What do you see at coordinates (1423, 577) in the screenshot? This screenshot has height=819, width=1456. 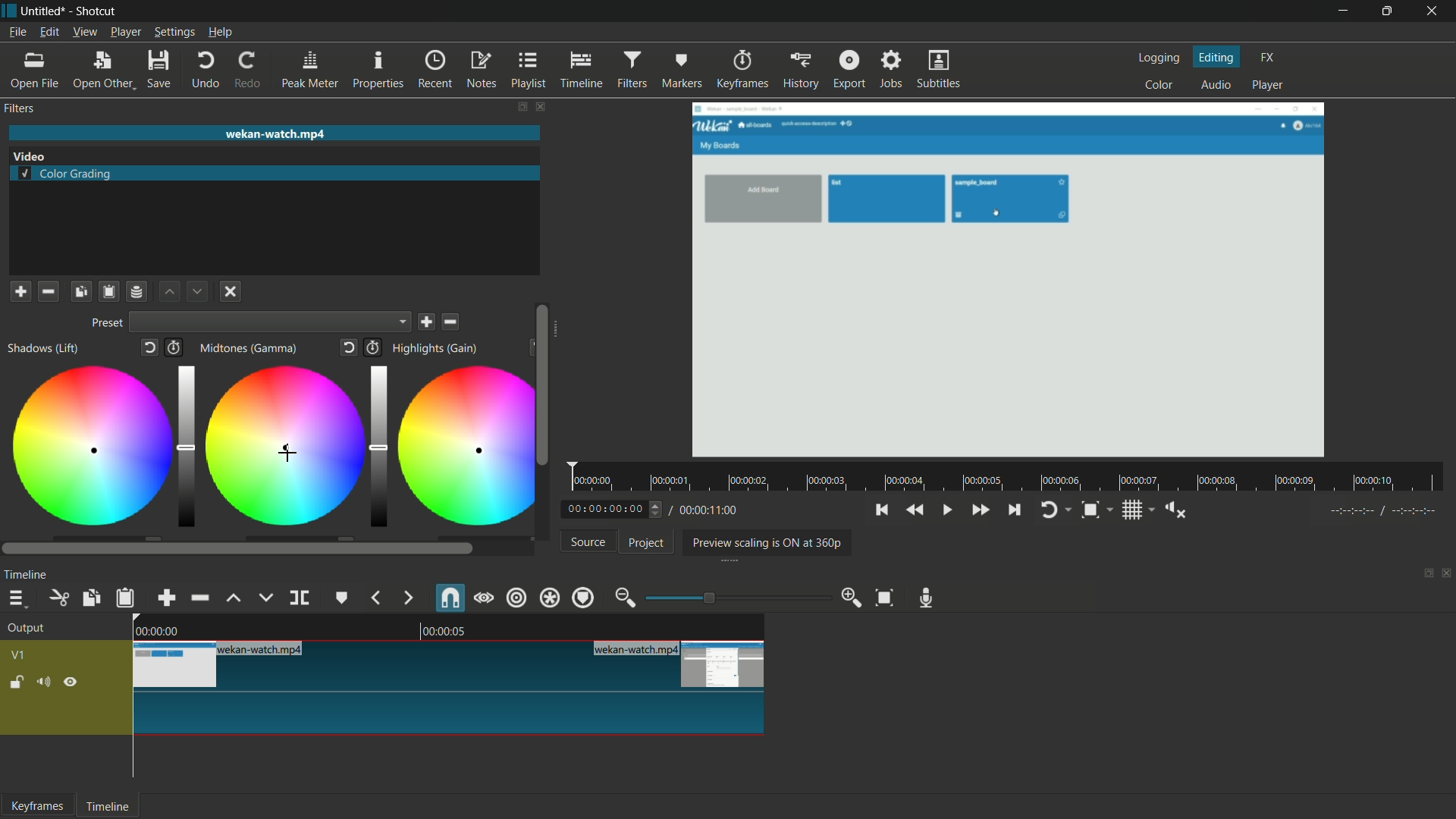 I see `change layout` at bounding box center [1423, 577].